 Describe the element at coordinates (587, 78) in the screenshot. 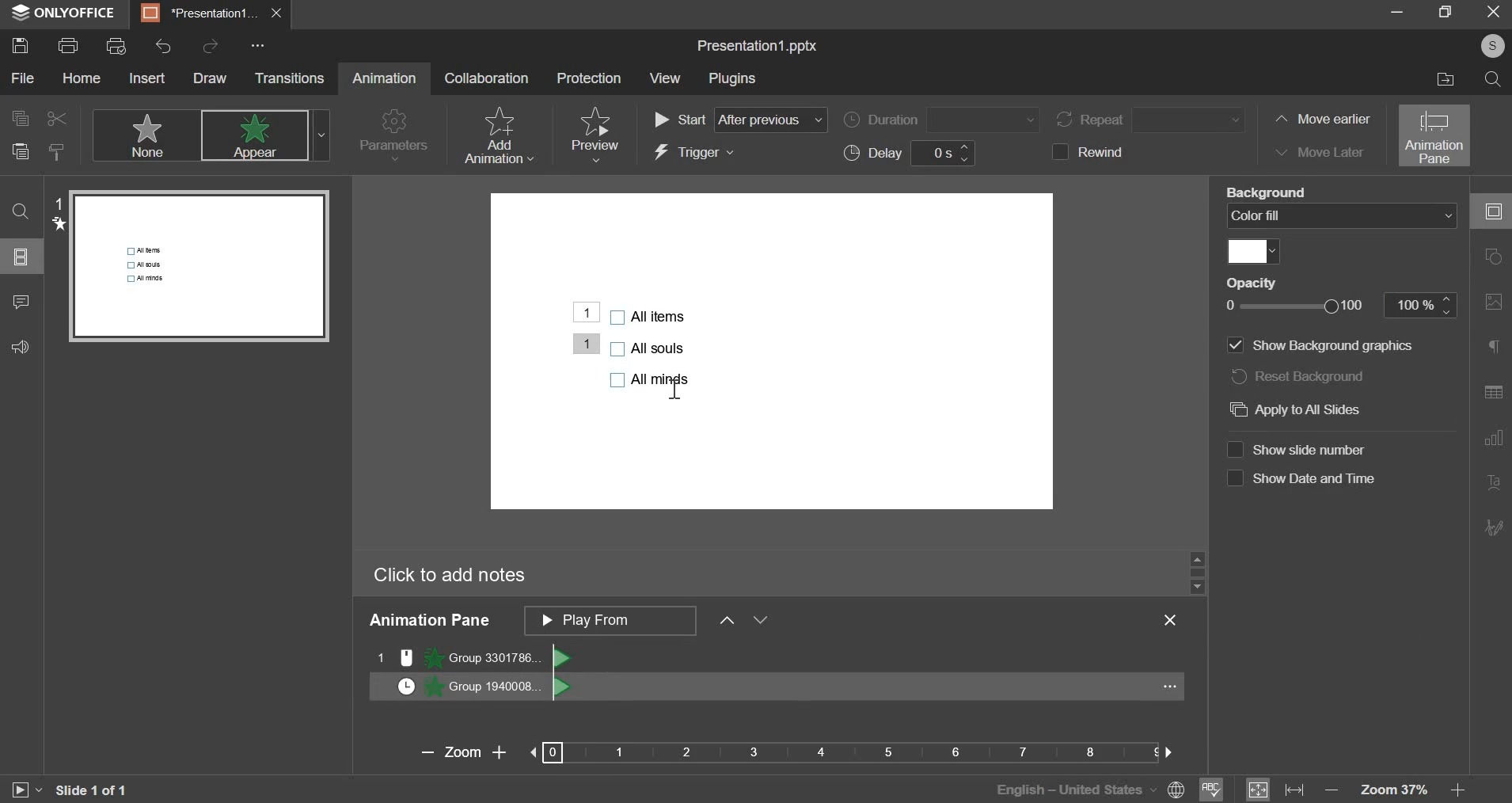

I see `protection` at that location.